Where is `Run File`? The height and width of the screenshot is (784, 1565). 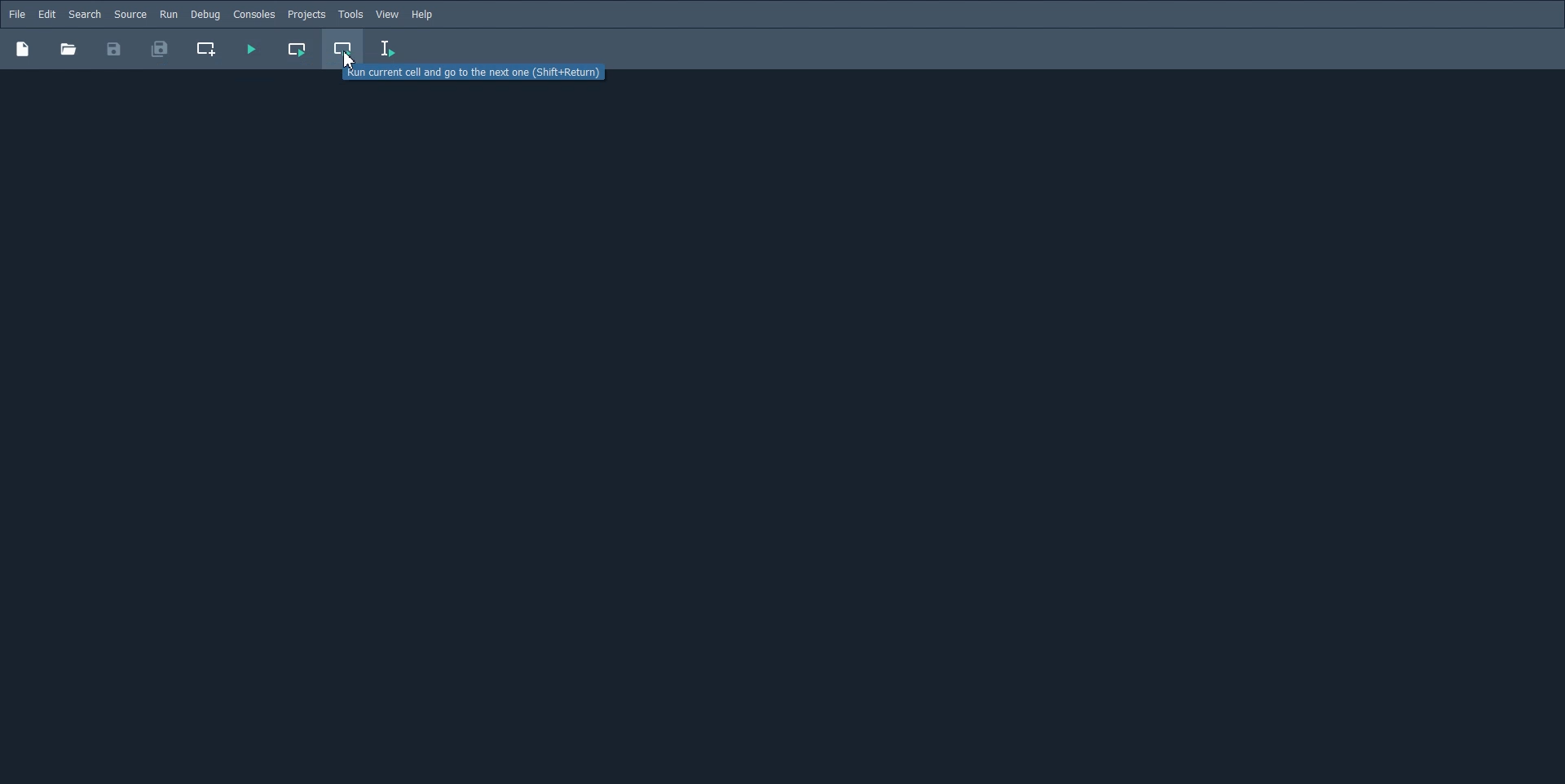
Run File is located at coordinates (250, 49).